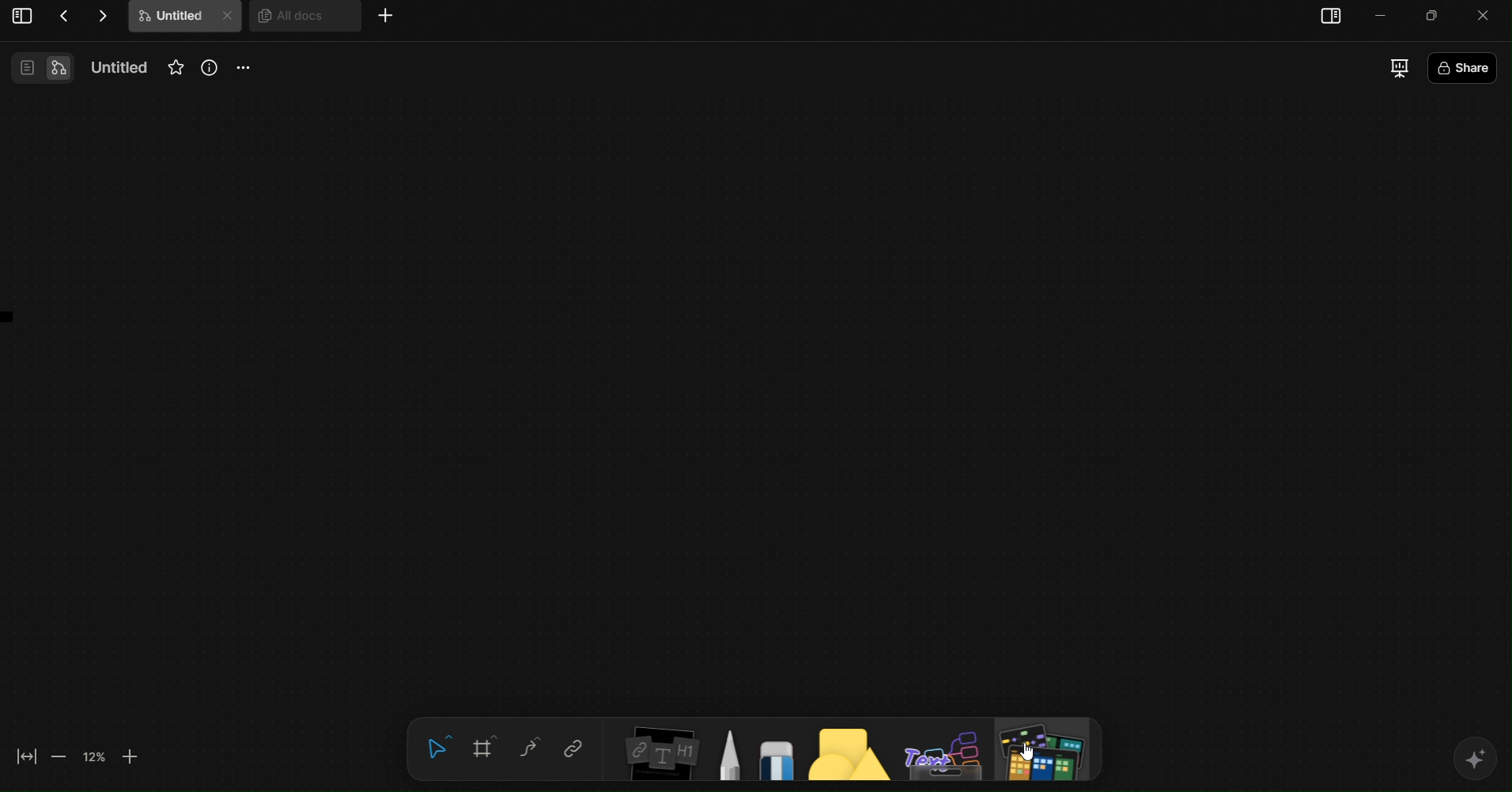 The image size is (1512, 792). What do you see at coordinates (386, 17) in the screenshot?
I see `More` at bounding box center [386, 17].